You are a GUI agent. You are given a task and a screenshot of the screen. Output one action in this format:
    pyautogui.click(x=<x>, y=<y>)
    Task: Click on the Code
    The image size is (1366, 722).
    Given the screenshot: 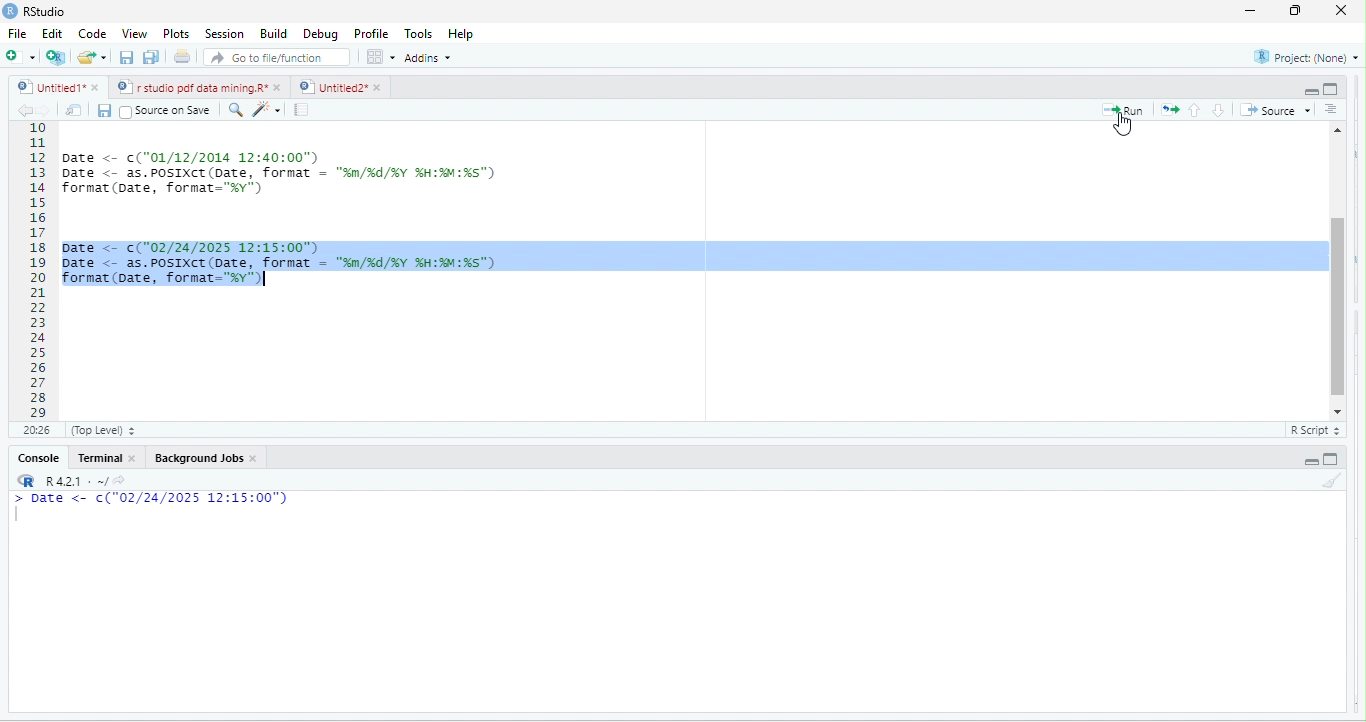 What is the action you would take?
    pyautogui.click(x=91, y=35)
    